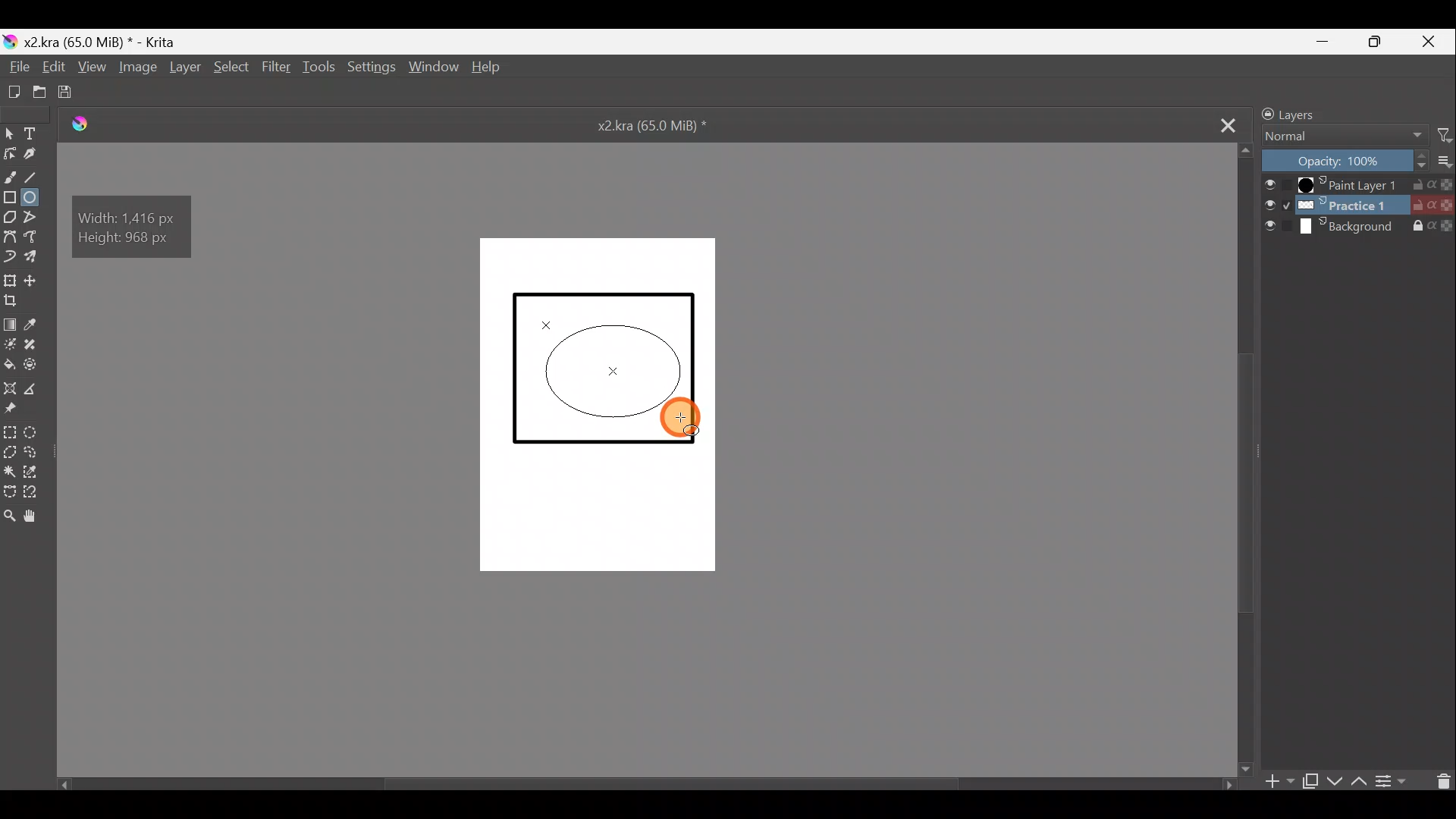 The width and height of the screenshot is (1456, 819). I want to click on Scroll bar, so click(1247, 459).